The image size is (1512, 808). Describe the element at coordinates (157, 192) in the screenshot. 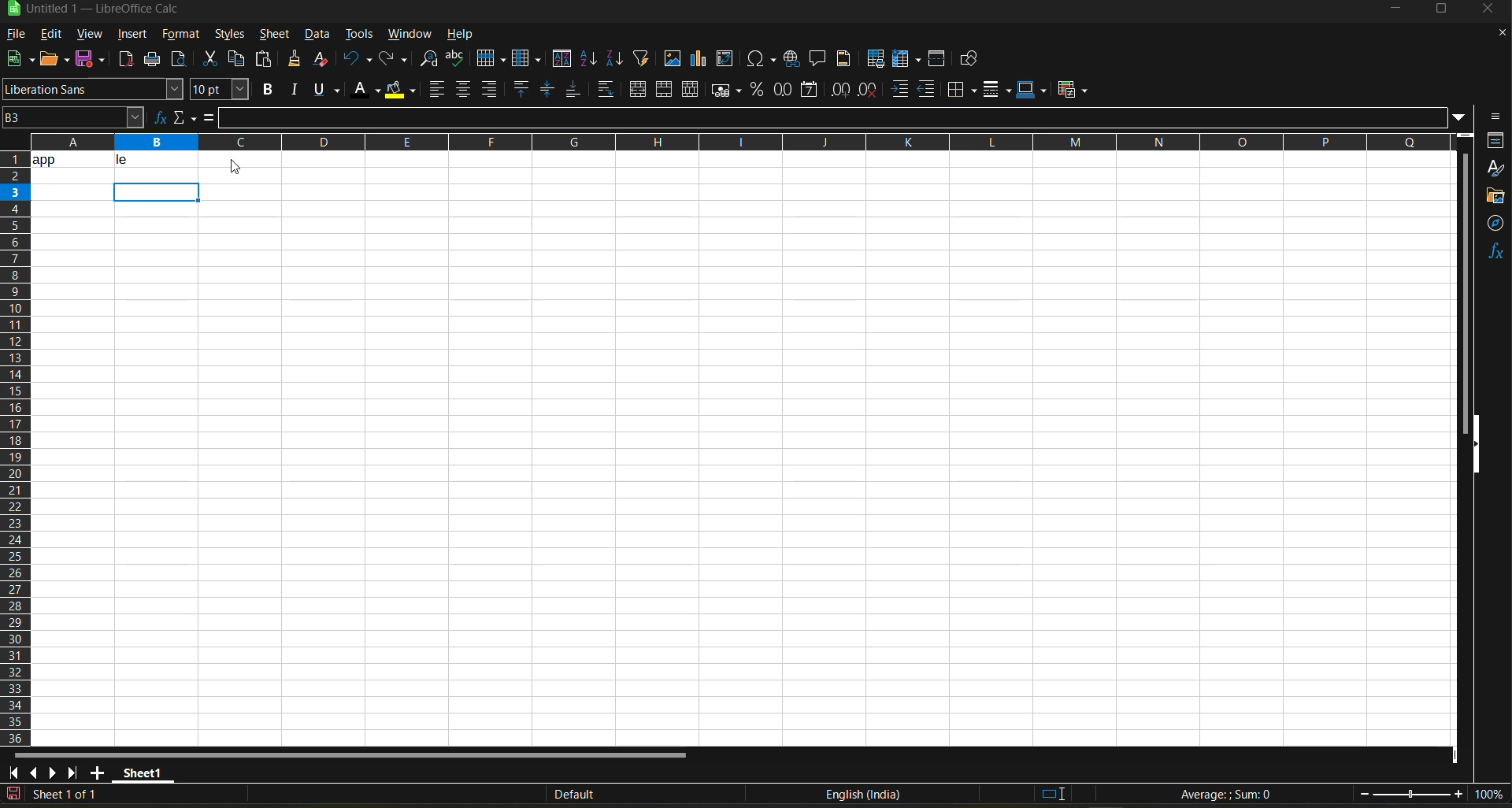

I see `selected cells` at that location.